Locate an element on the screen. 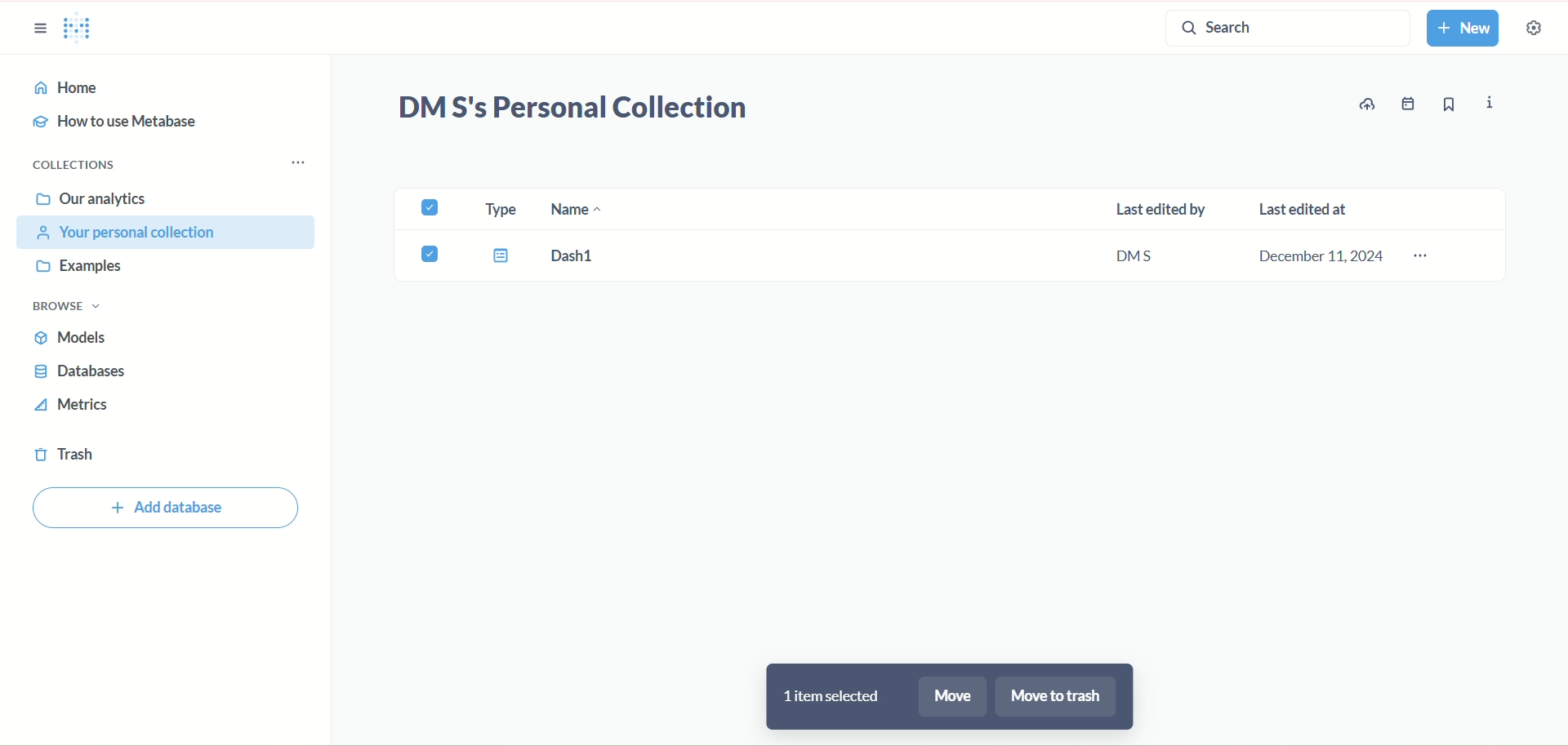  Add database is located at coordinates (164, 510).